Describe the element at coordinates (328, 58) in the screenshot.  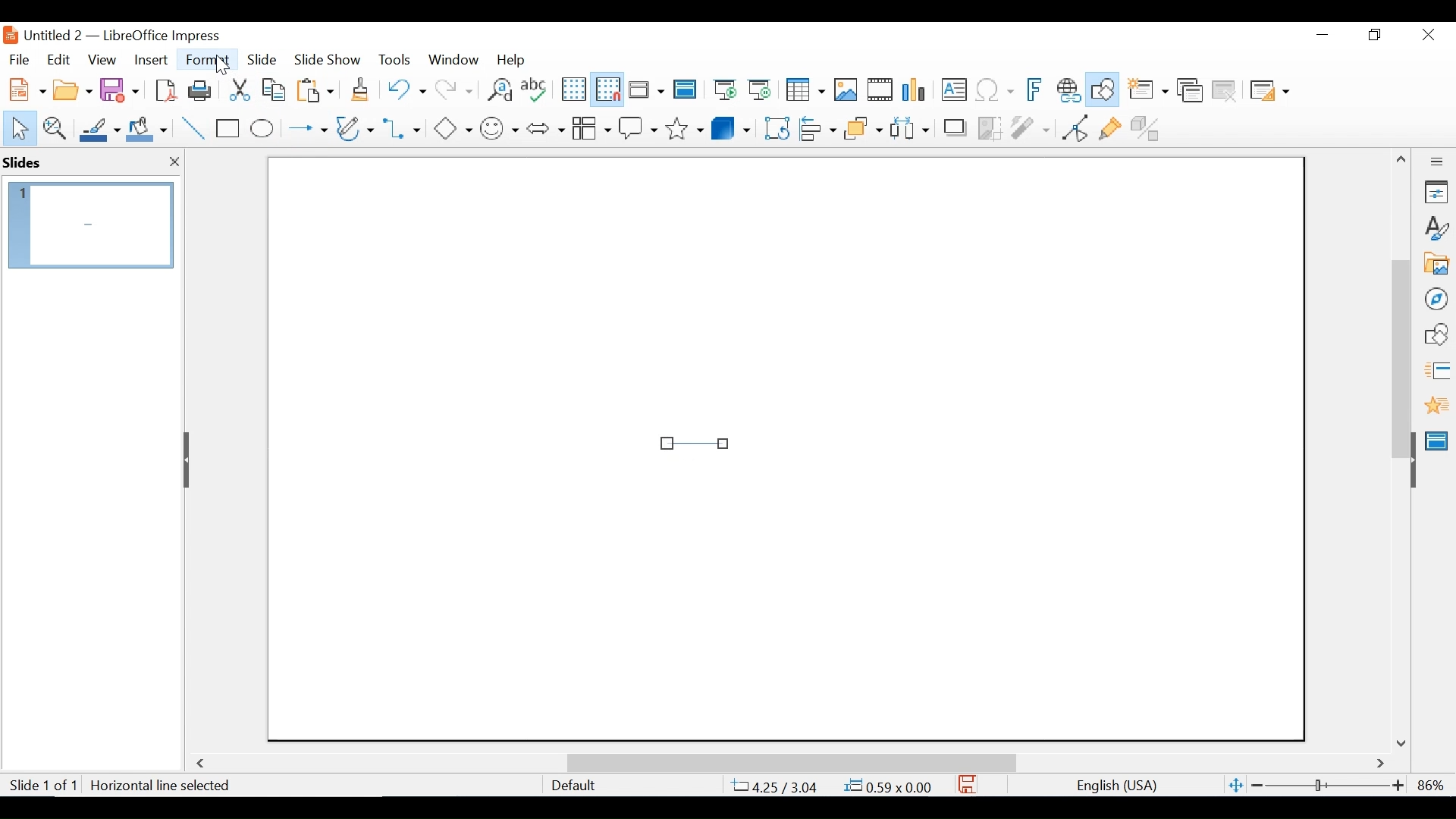
I see `Slide Show` at that location.